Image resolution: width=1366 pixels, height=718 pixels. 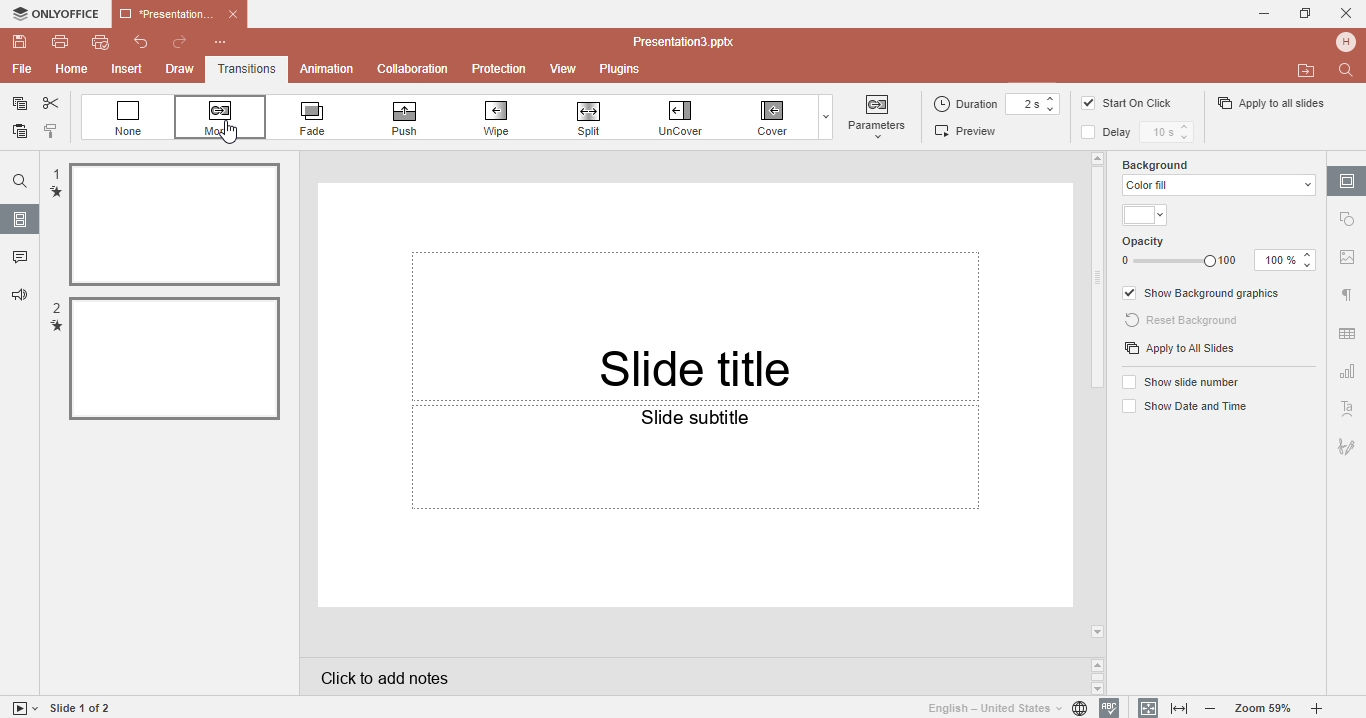 What do you see at coordinates (57, 328) in the screenshot?
I see `transition mark` at bounding box center [57, 328].